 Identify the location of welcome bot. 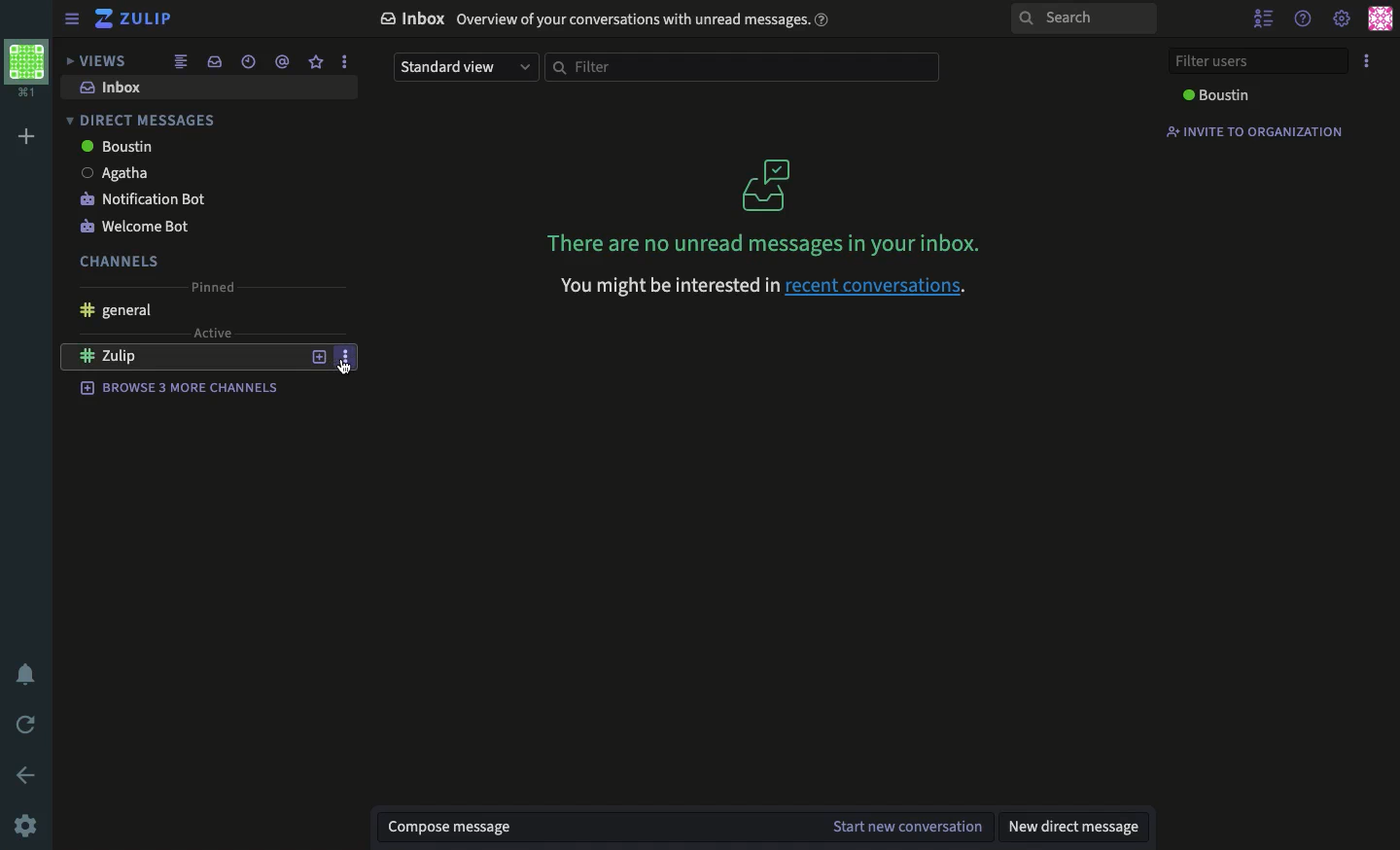
(133, 229).